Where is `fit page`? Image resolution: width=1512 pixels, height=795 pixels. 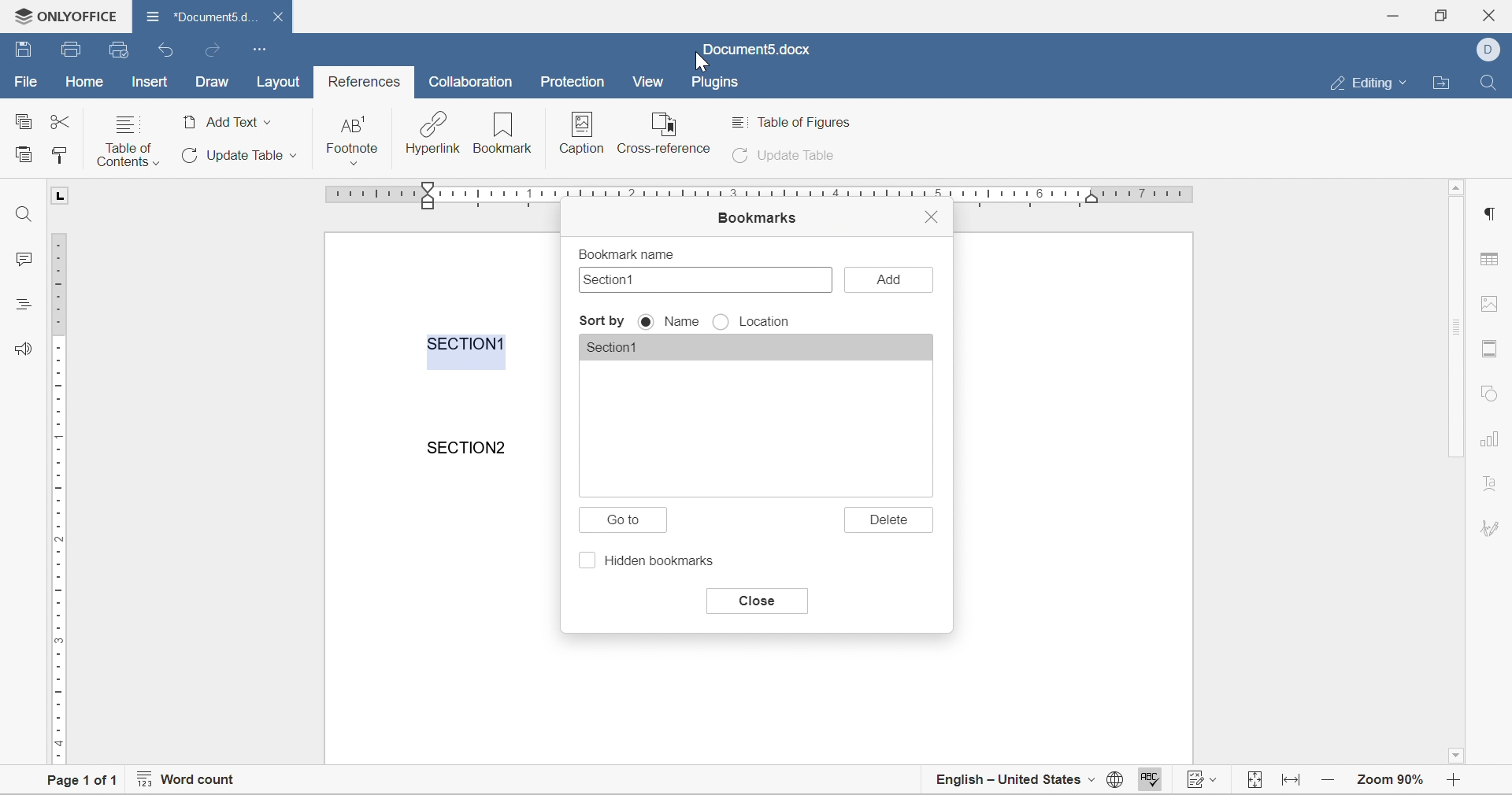 fit page is located at coordinates (1256, 781).